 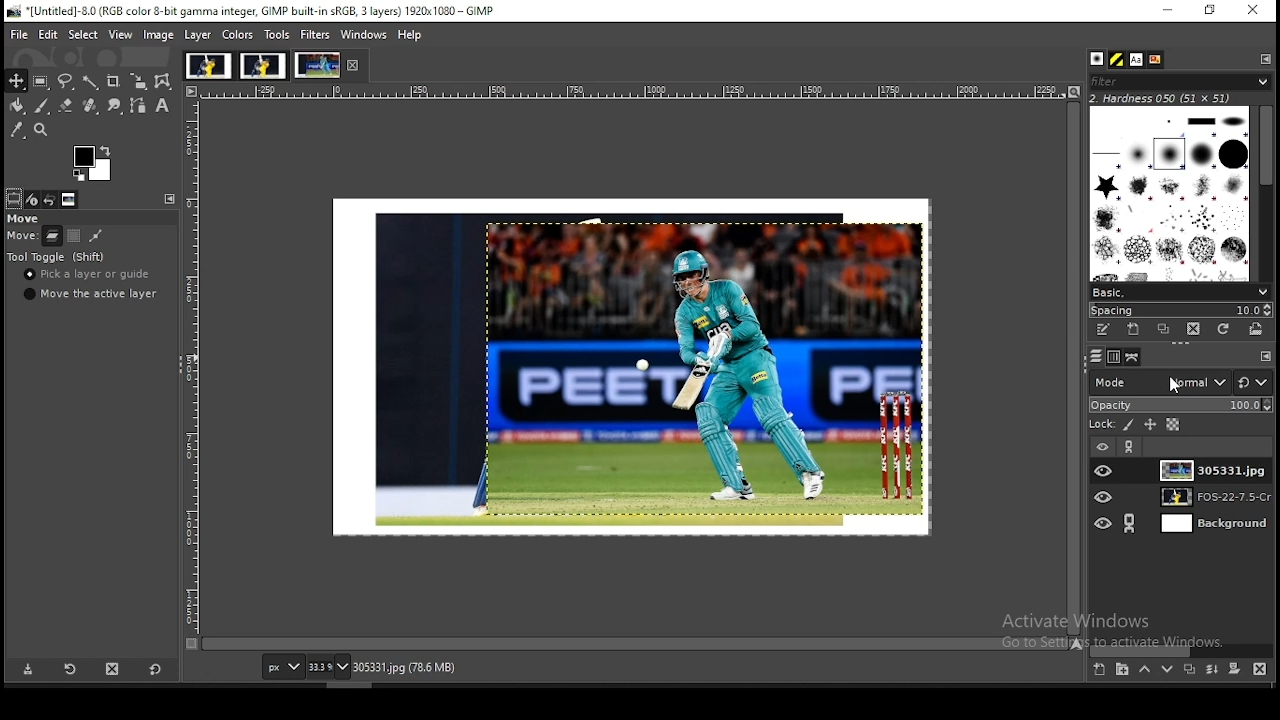 I want to click on cage transform tool, so click(x=165, y=82).